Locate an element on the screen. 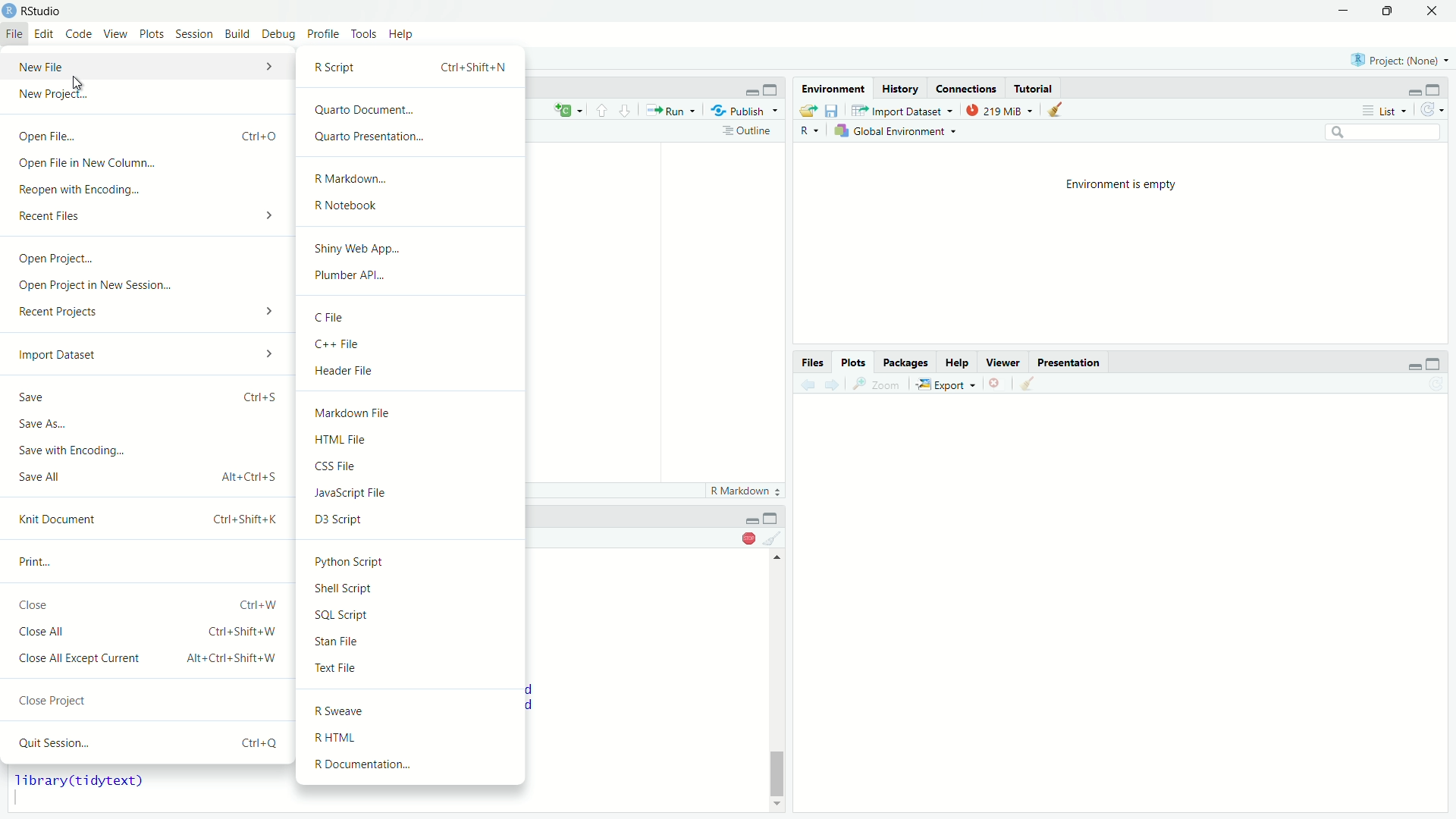 The height and width of the screenshot is (819, 1456). Maximize pane is located at coordinates (1436, 87).